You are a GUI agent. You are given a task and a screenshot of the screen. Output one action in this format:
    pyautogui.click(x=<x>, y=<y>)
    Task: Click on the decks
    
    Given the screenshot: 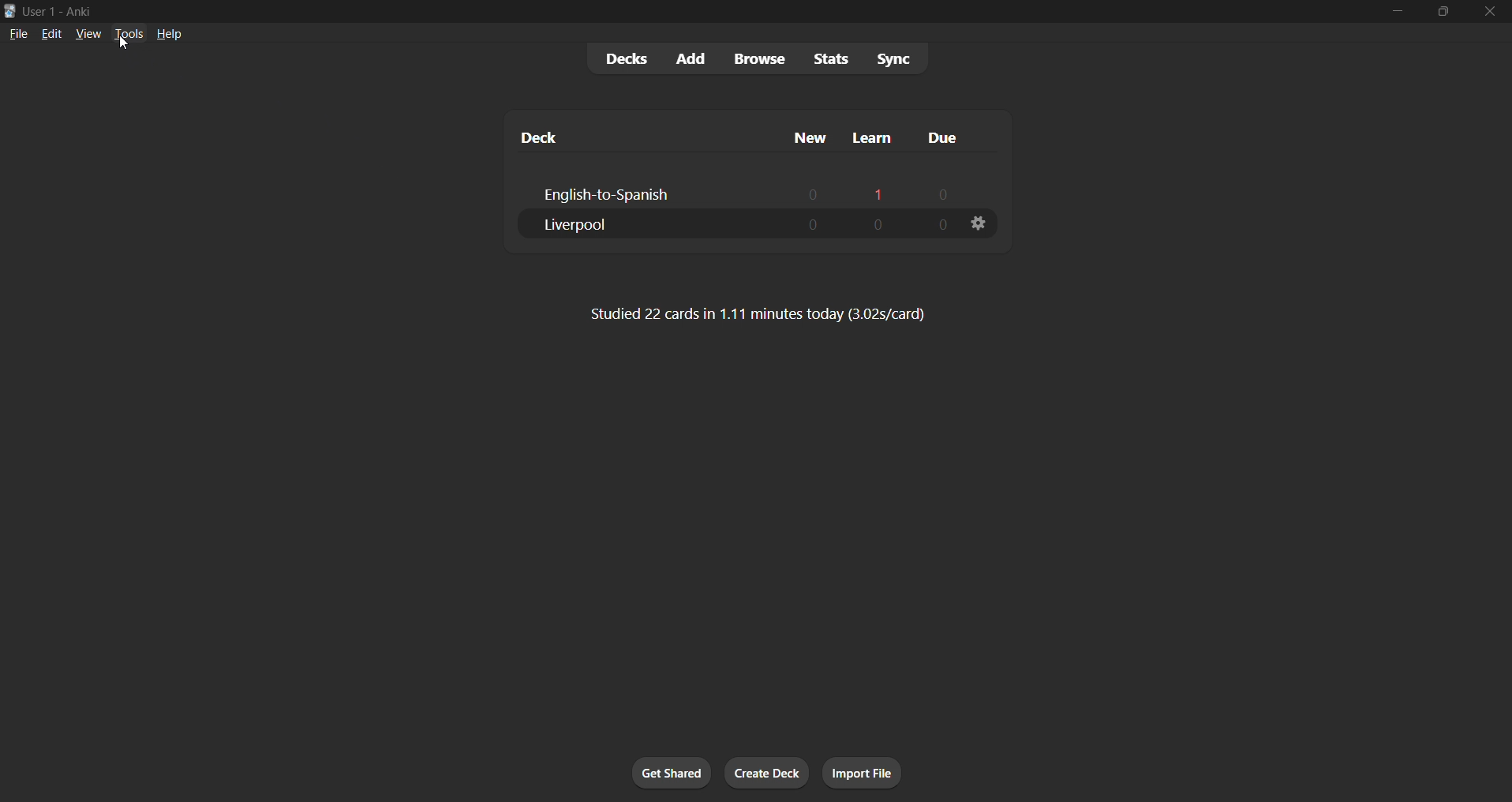 What is the action you would take?
    pyautogui.click(x=612, y=57)
    